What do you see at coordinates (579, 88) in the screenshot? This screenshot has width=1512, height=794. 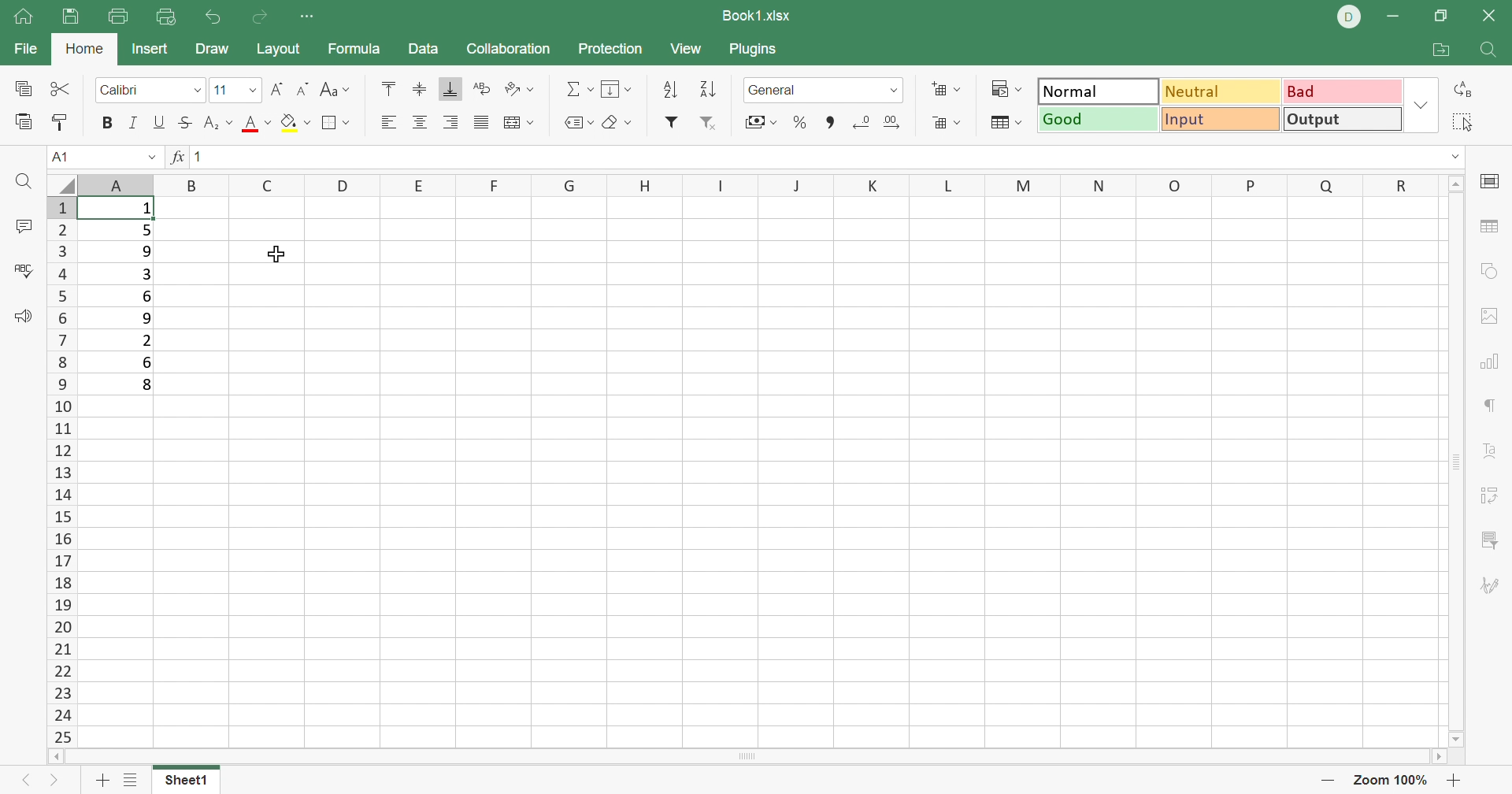 I see `Summation` at bounding box center [579, 88].